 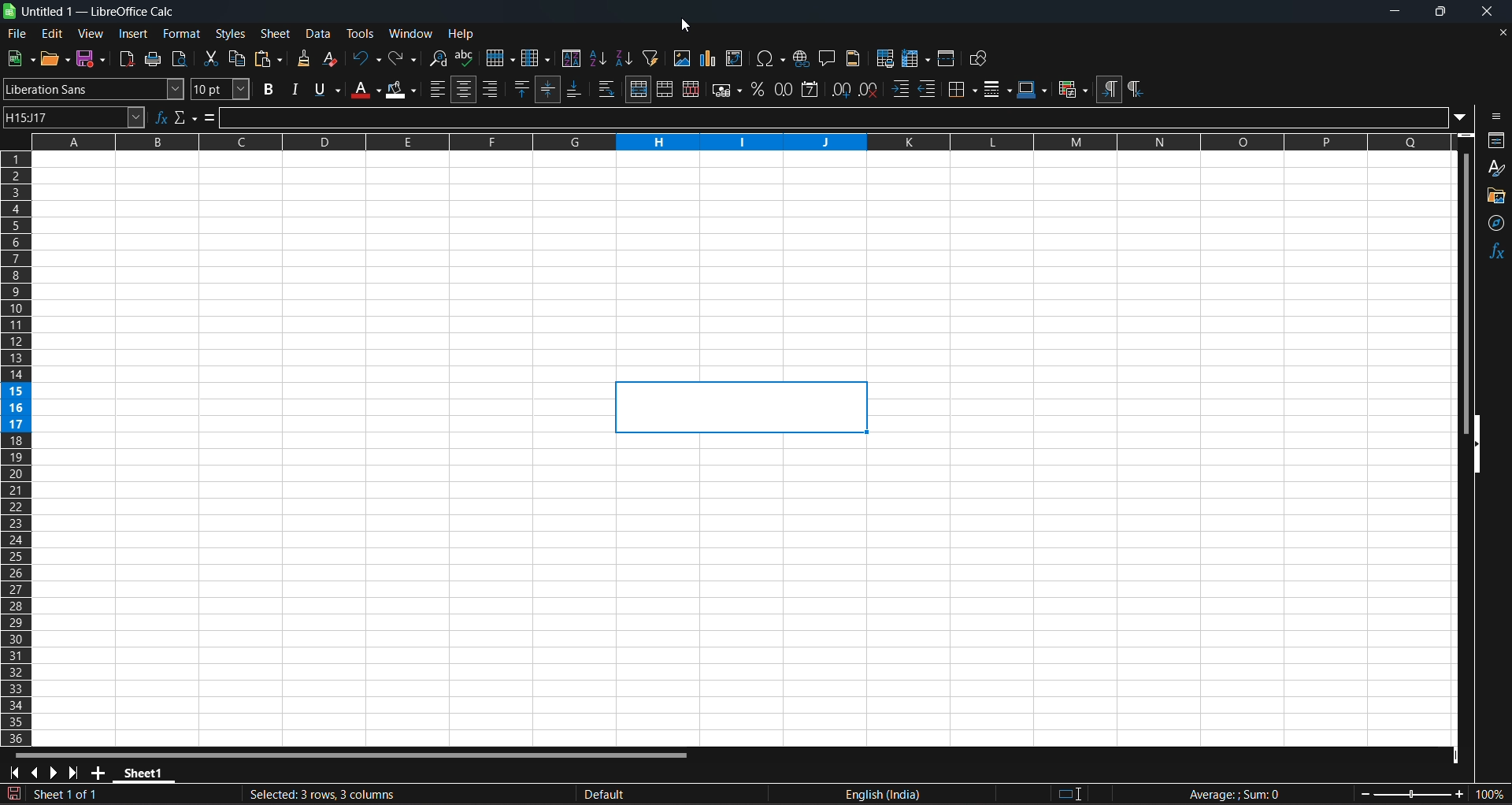 I want to click on wrap text, so click(x=609, y=87).